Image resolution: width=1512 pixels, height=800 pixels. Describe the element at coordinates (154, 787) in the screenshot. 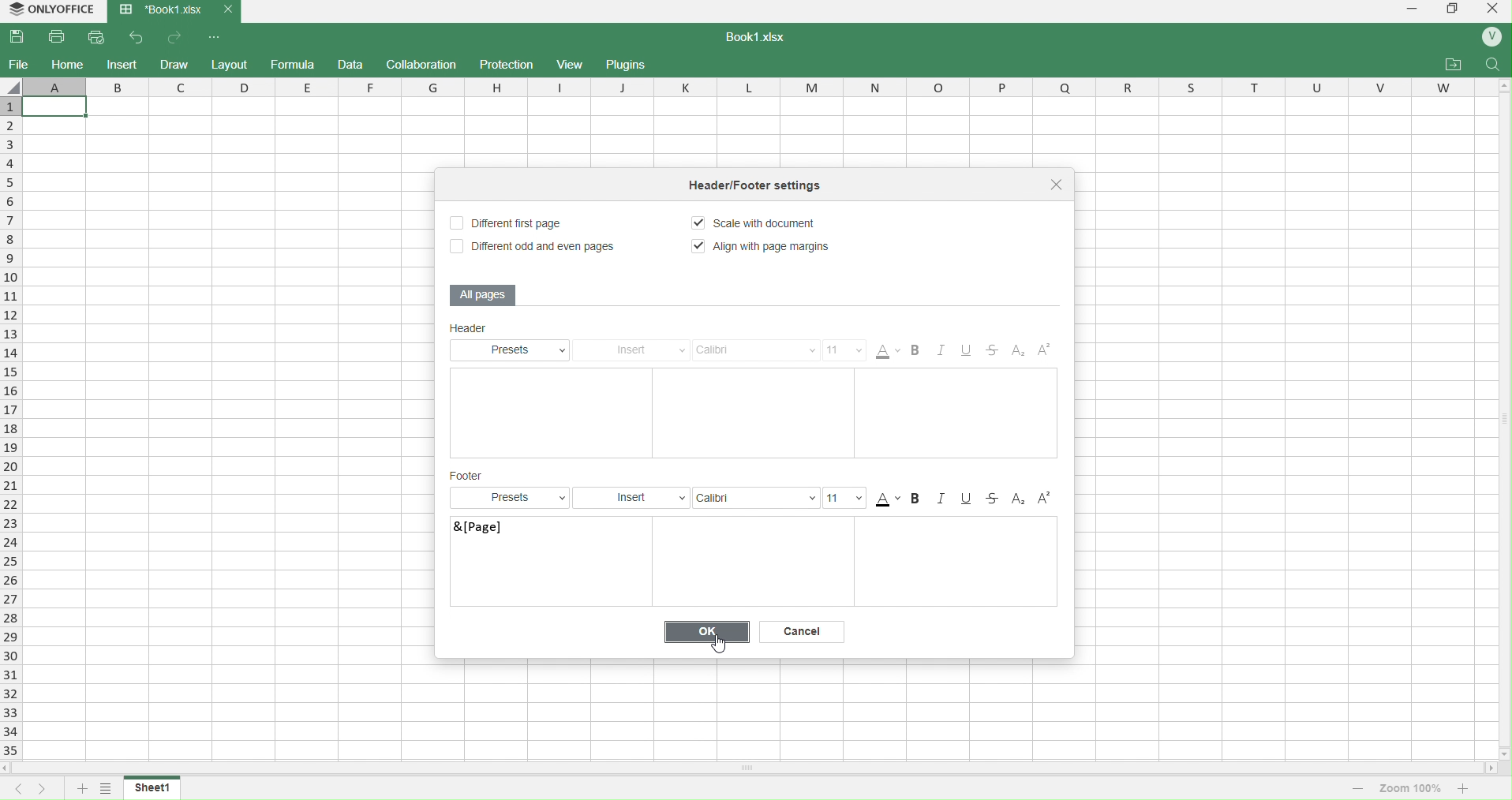

I see `sheet1` at that location.